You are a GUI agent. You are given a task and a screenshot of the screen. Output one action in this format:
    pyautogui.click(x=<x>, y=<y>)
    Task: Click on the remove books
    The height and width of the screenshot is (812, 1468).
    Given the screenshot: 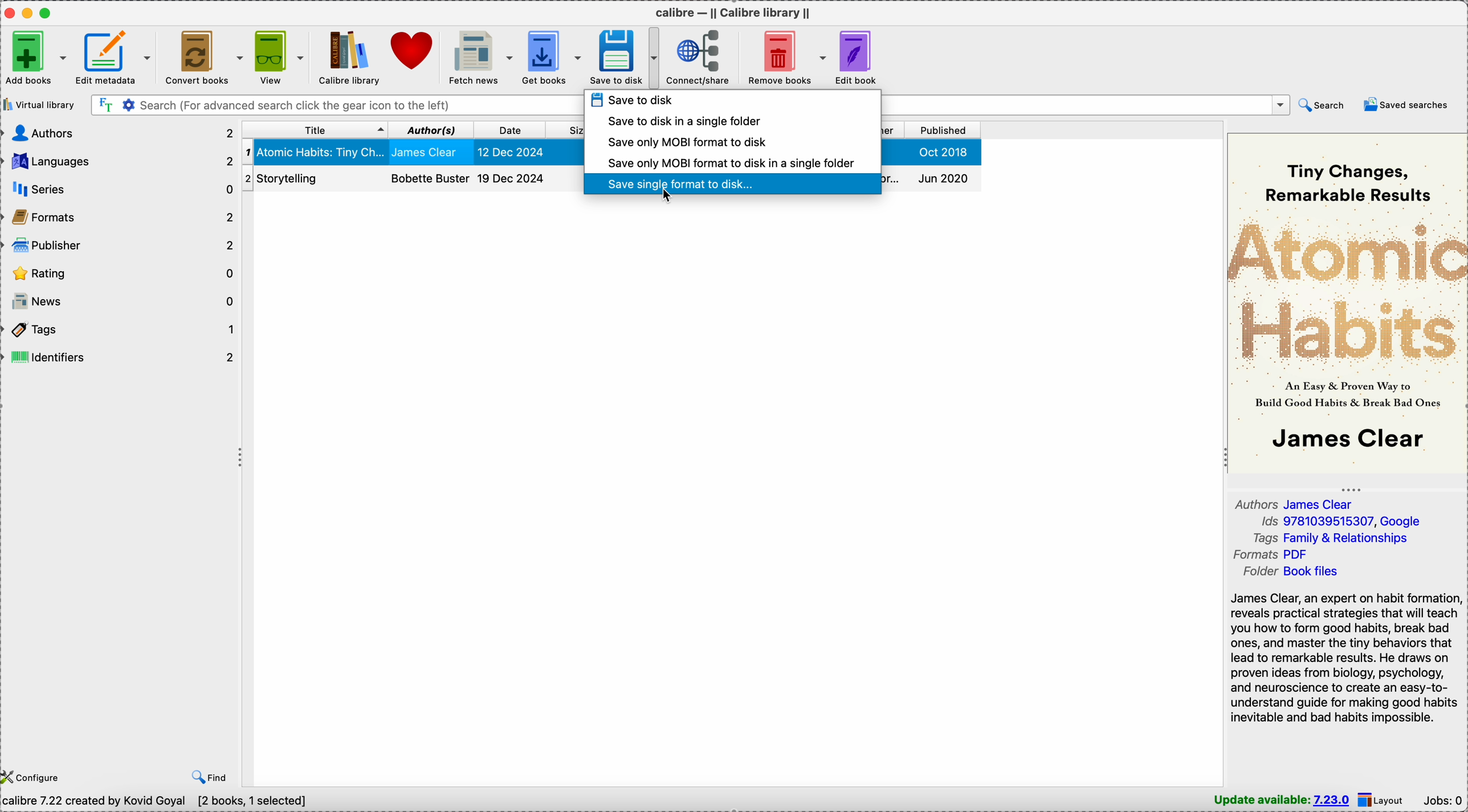 What is the action you would take?
    pyautogui.click(x=784, y=56)
    